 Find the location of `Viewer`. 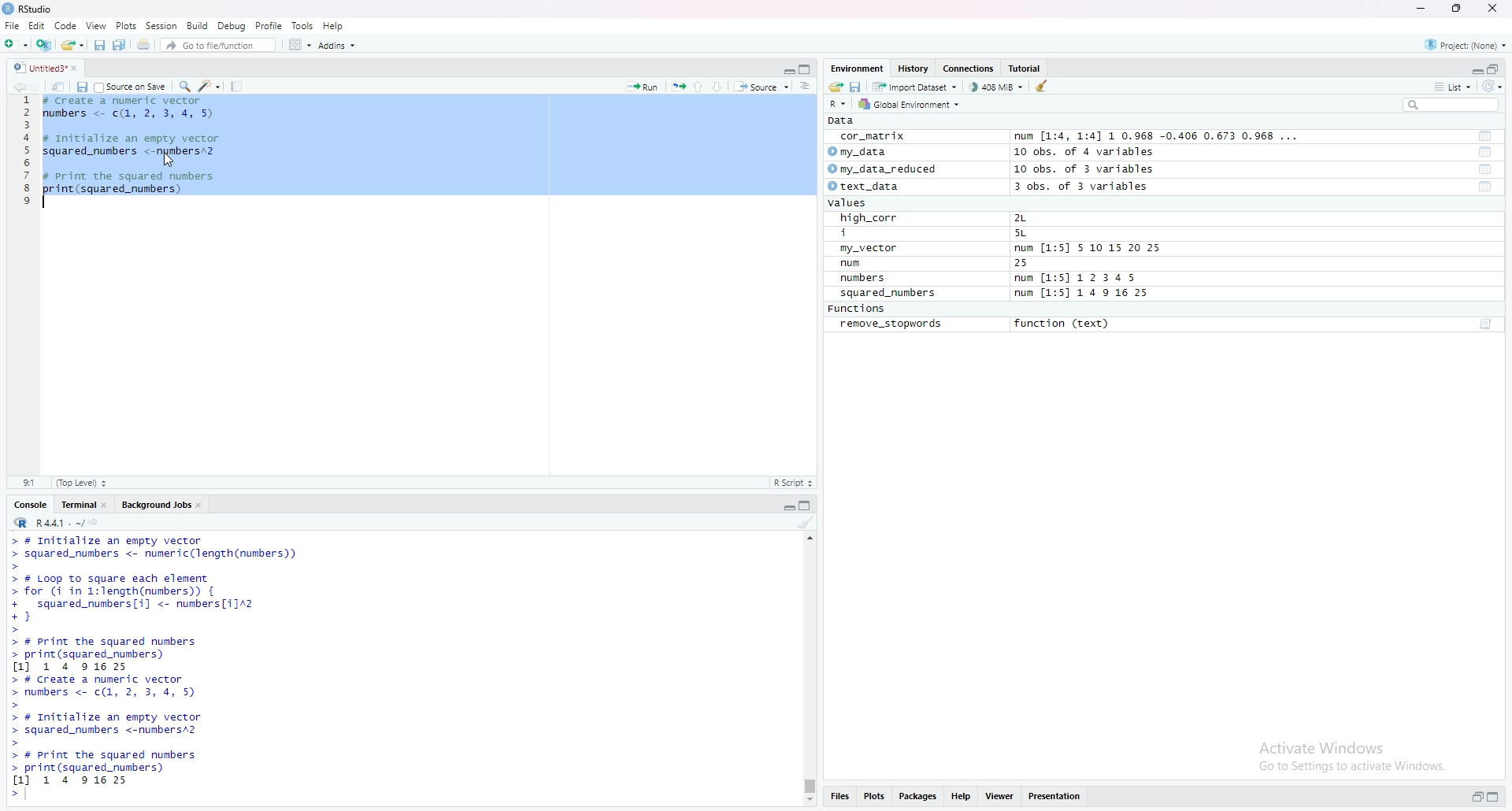

Viewer is located at coordinates (1000, 798).